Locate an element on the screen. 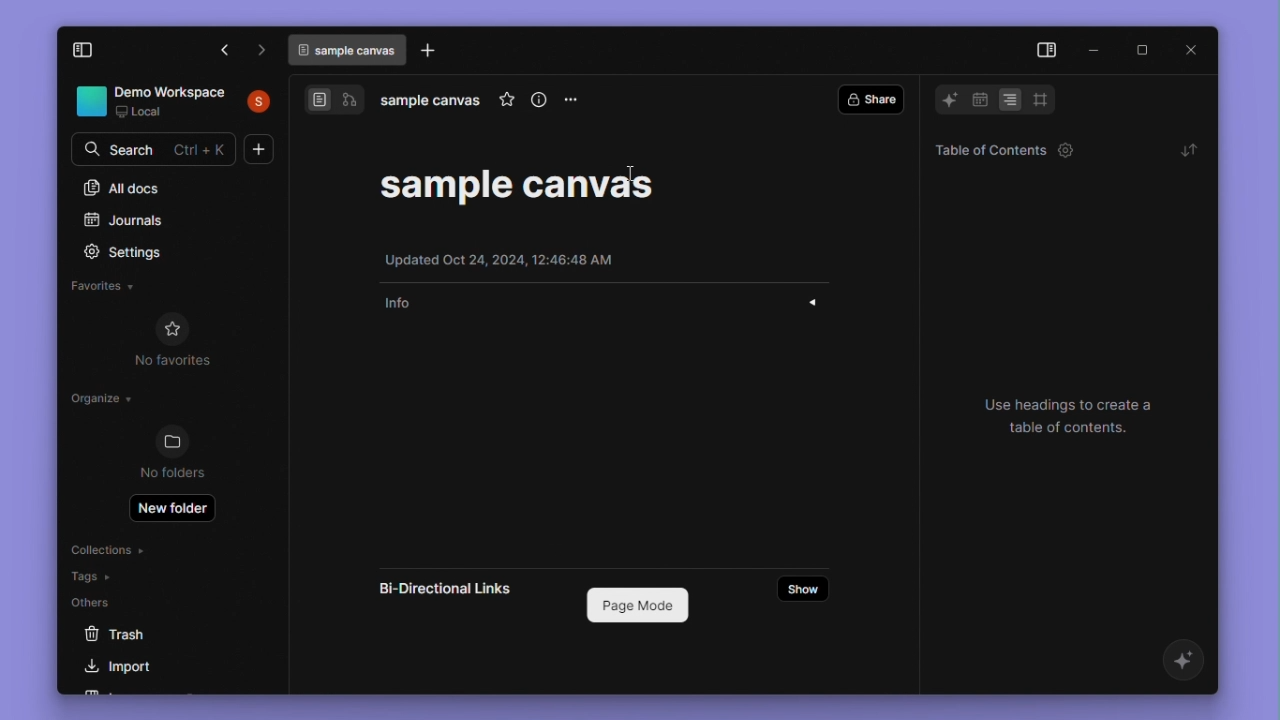 Image resolution: width=1280 pixels, height=720 pixels. import is located at coordinates (127, 669).